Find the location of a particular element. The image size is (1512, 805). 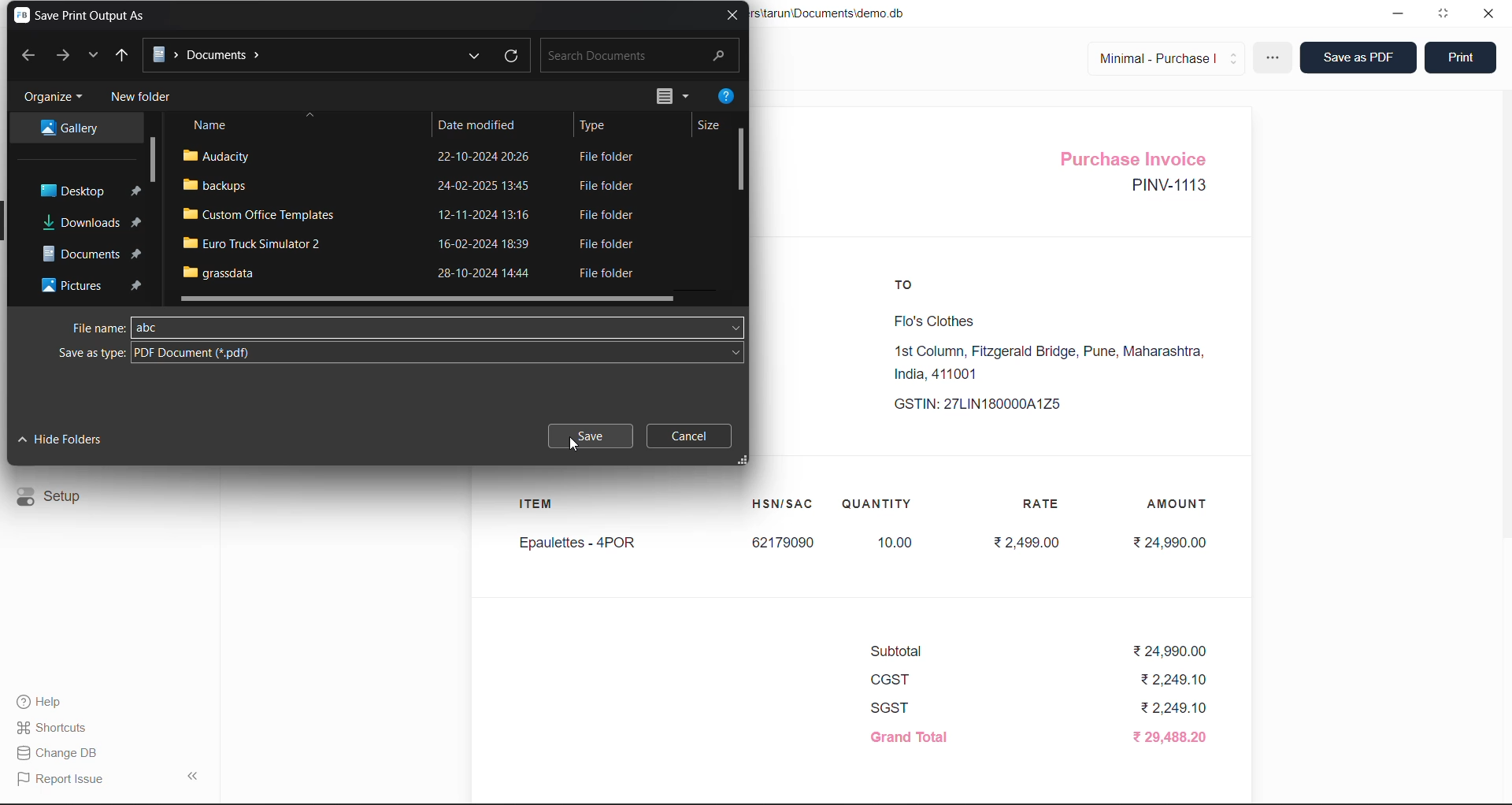

28-10-2024 14:44 is located at coordinates (487, 273).